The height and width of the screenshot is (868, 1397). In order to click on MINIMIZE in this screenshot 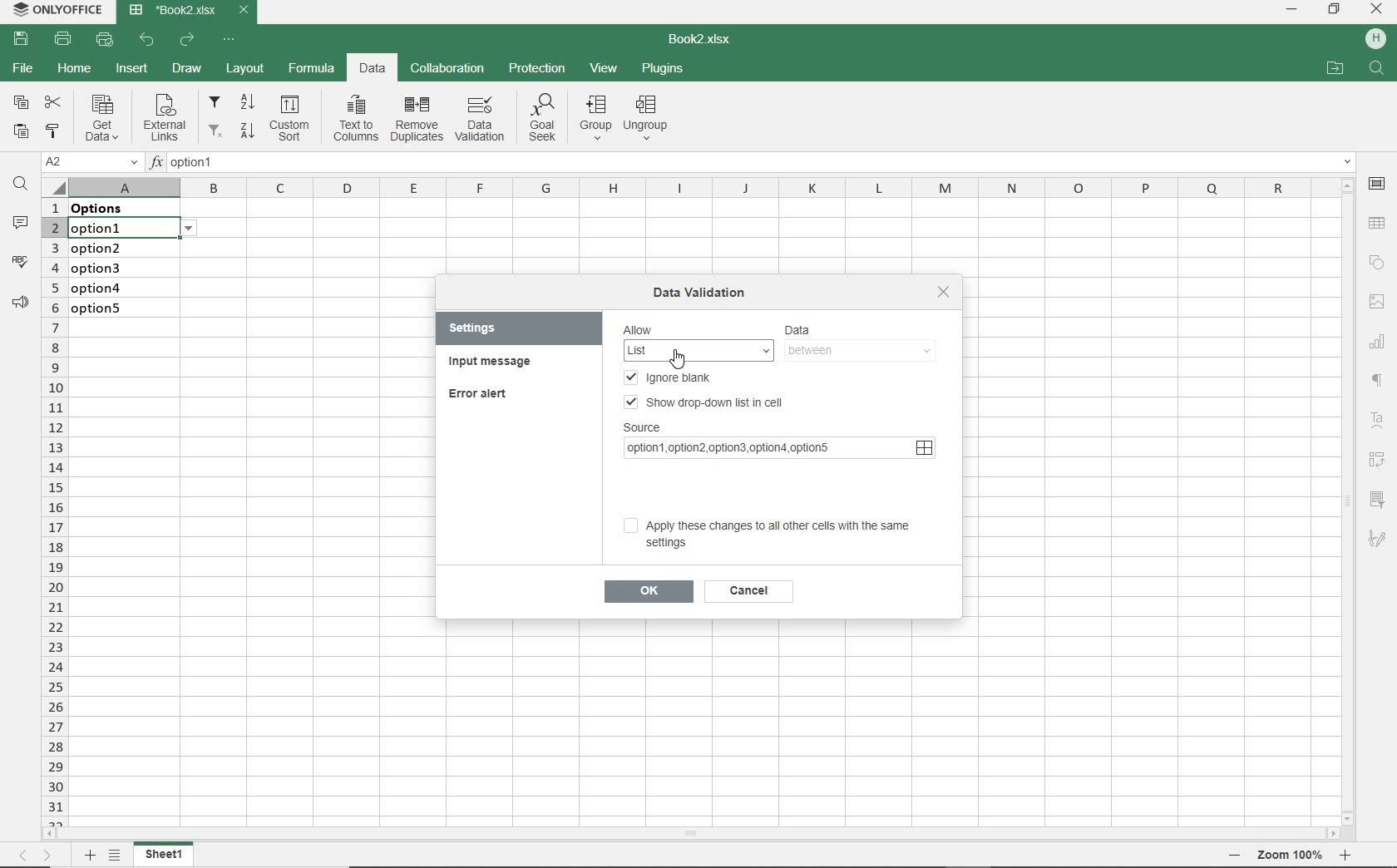, I will do `click(1291, 9)`.